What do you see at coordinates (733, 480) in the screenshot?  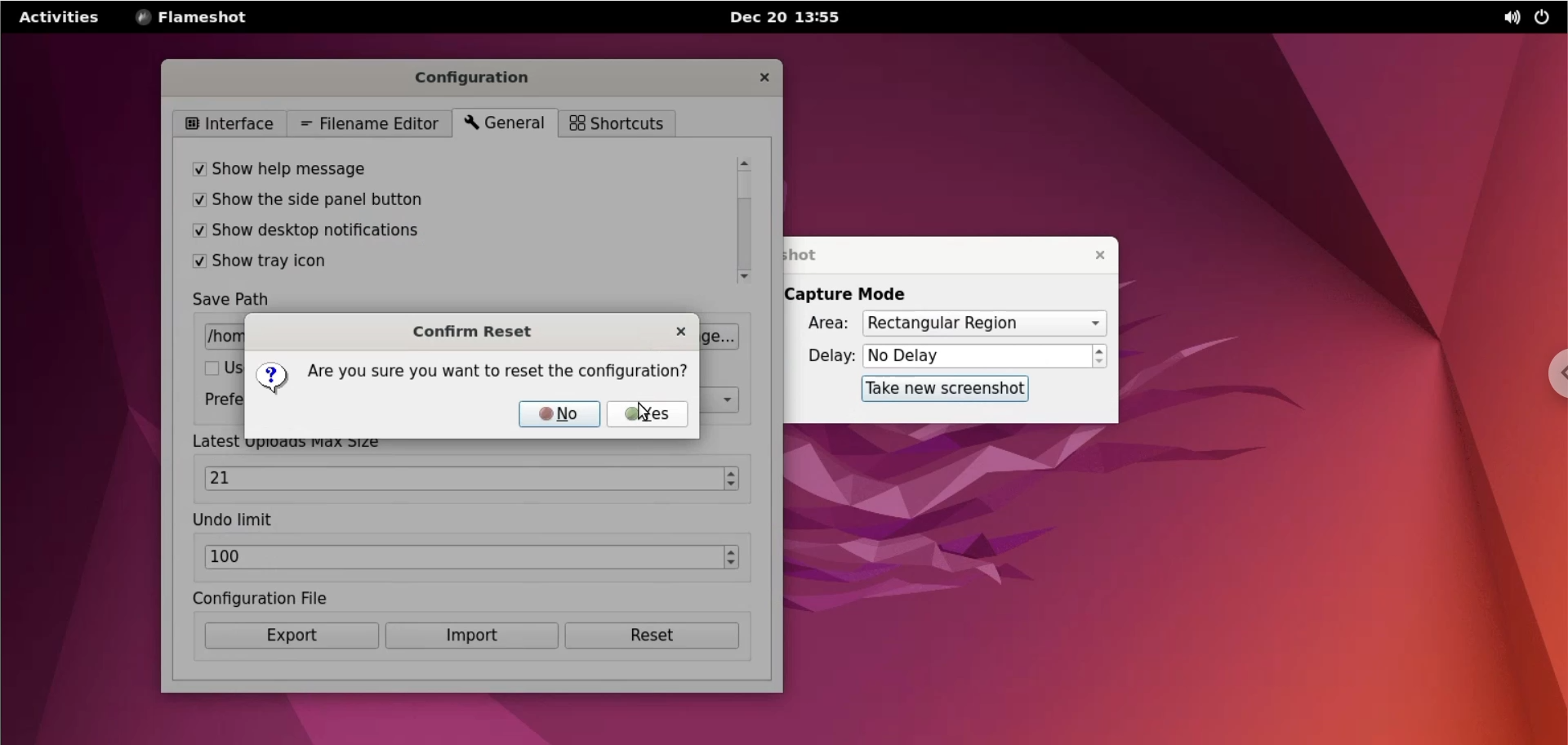 I see `increment and decrement max size` at bounding box center [733, 480].